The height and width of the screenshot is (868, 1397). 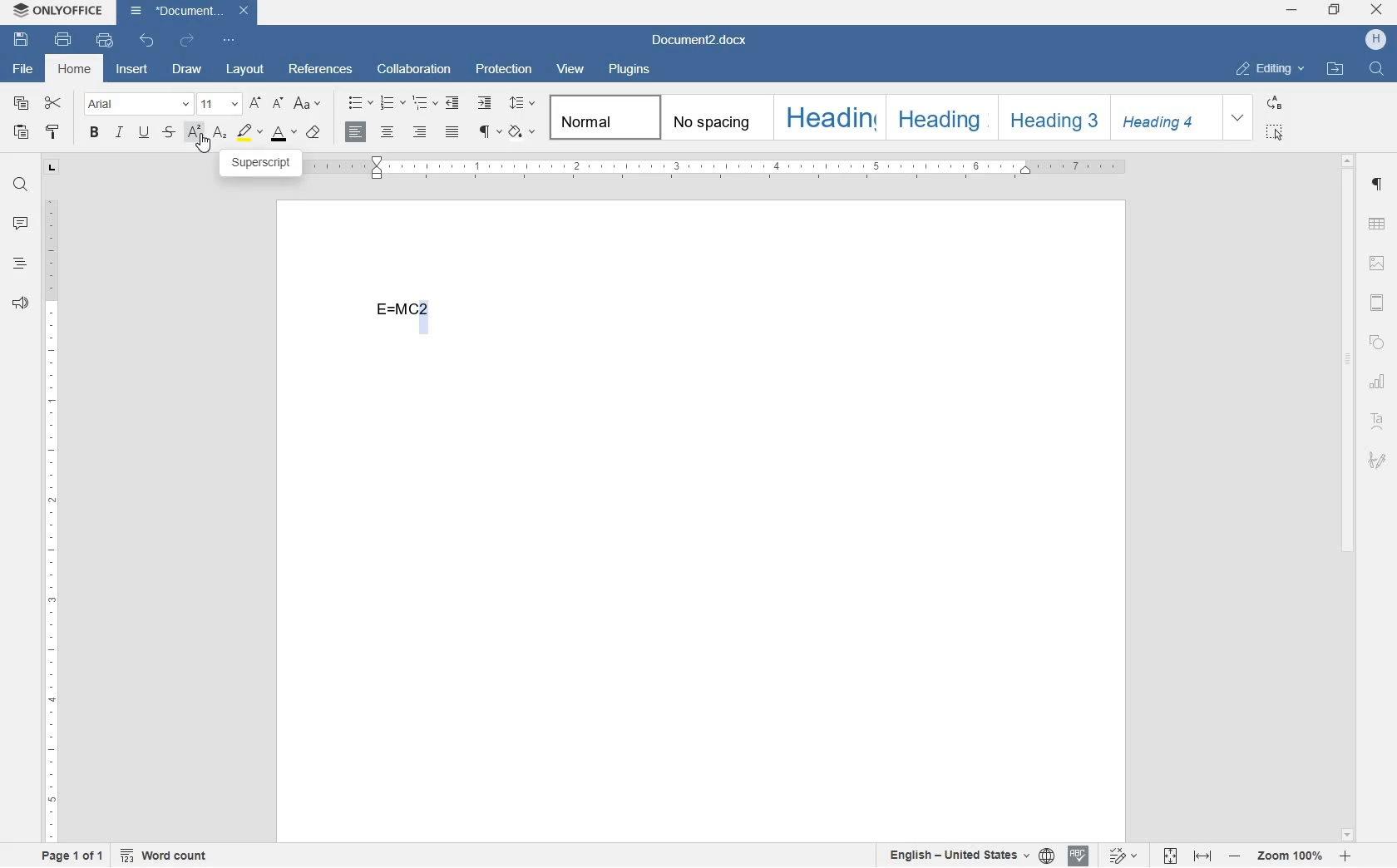 I want to click on italic, so click(x=119, y=133).